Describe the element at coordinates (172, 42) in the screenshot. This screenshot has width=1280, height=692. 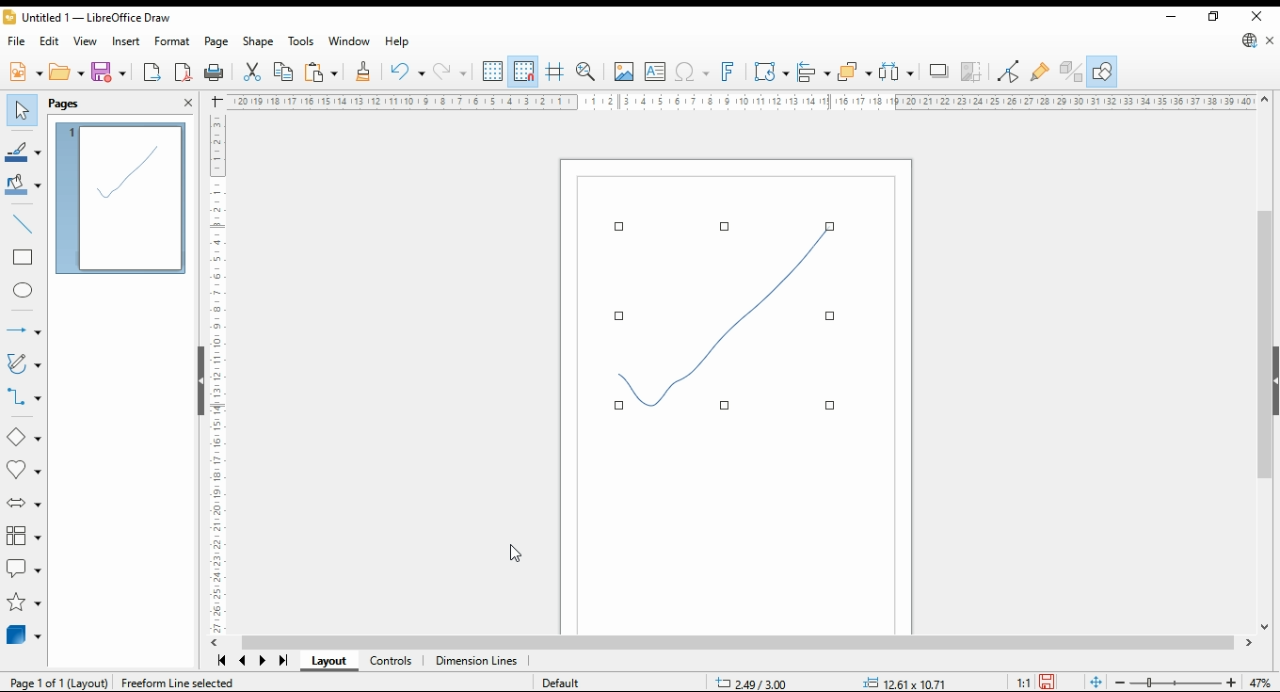
I see `format` at that location.